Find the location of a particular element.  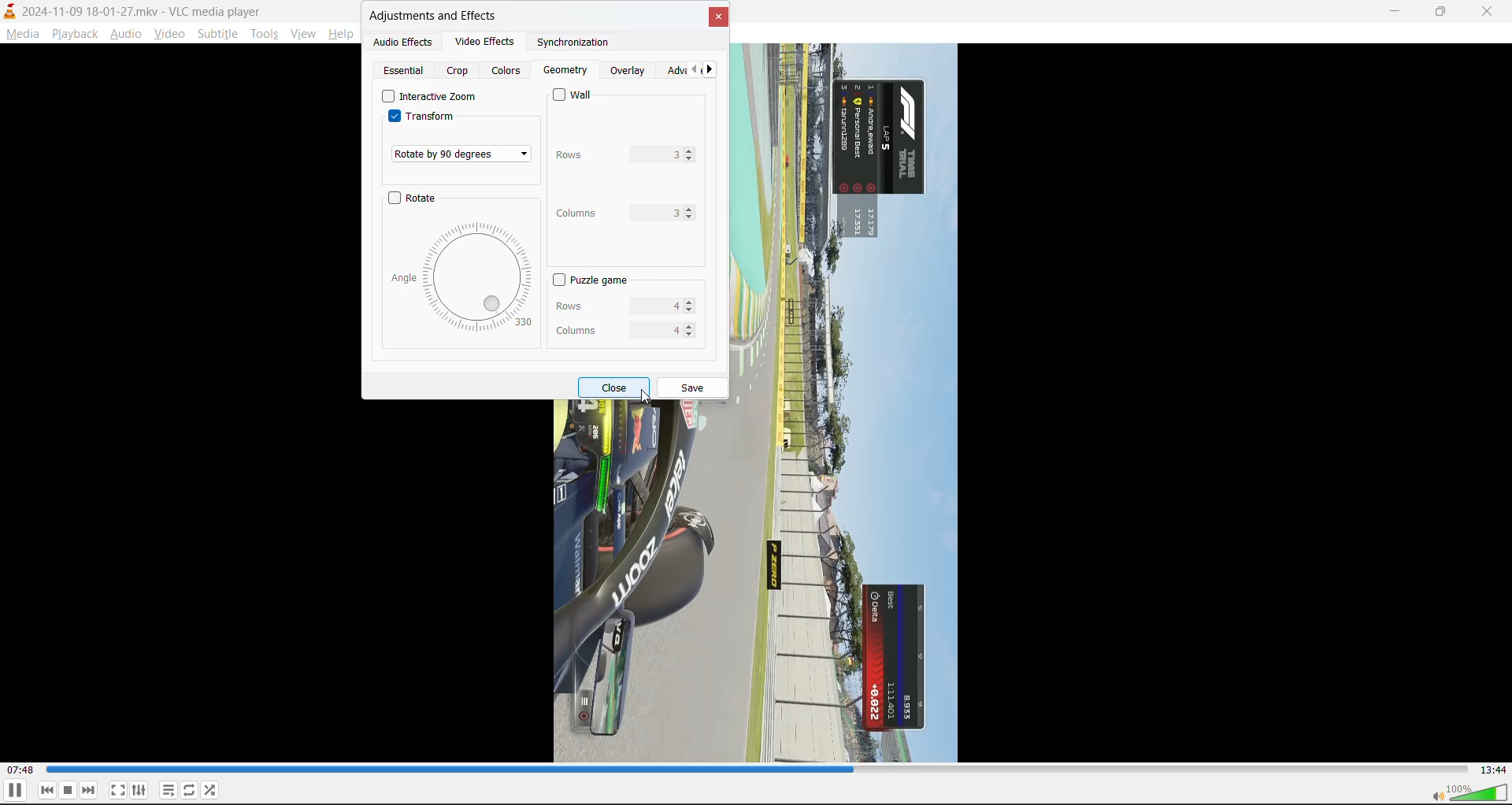

previous is located at coordinates (47, 790).